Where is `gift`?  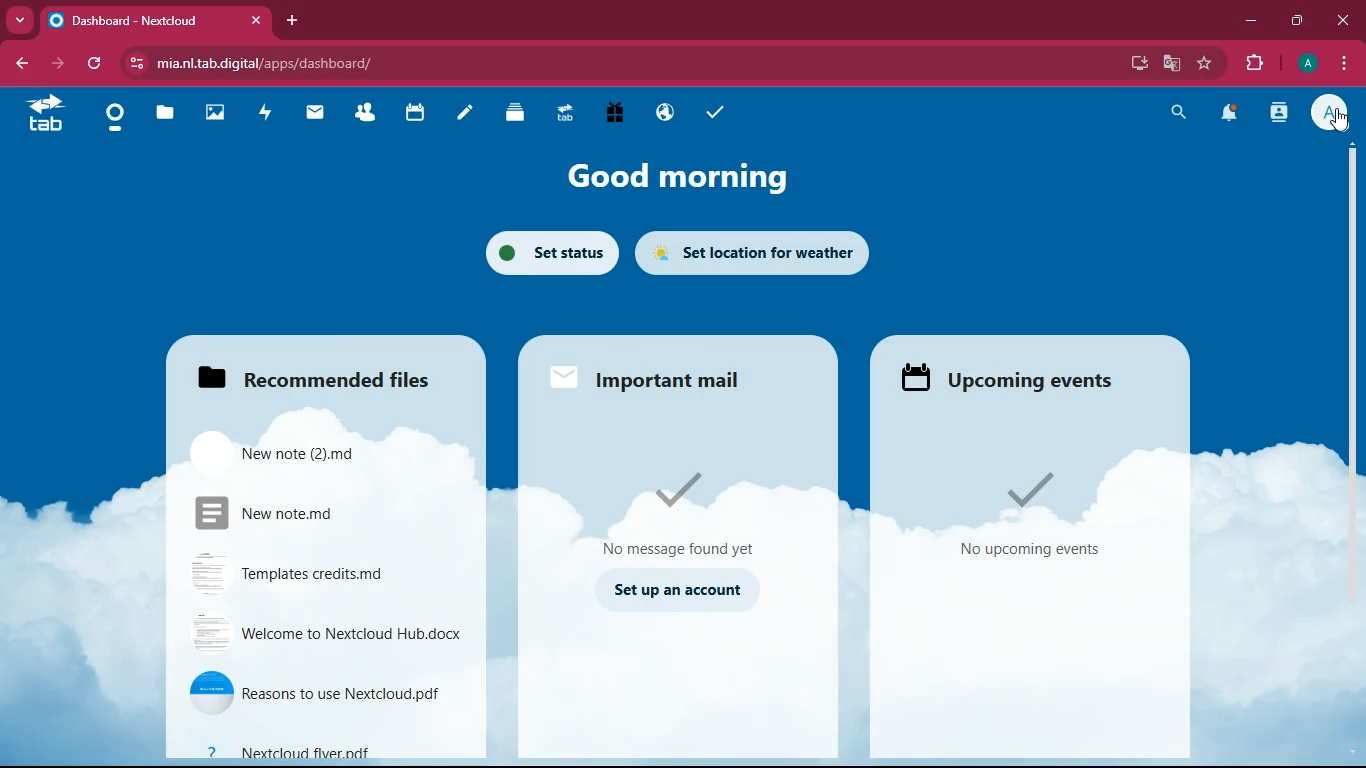
gift is located at coordinates (609, 112).